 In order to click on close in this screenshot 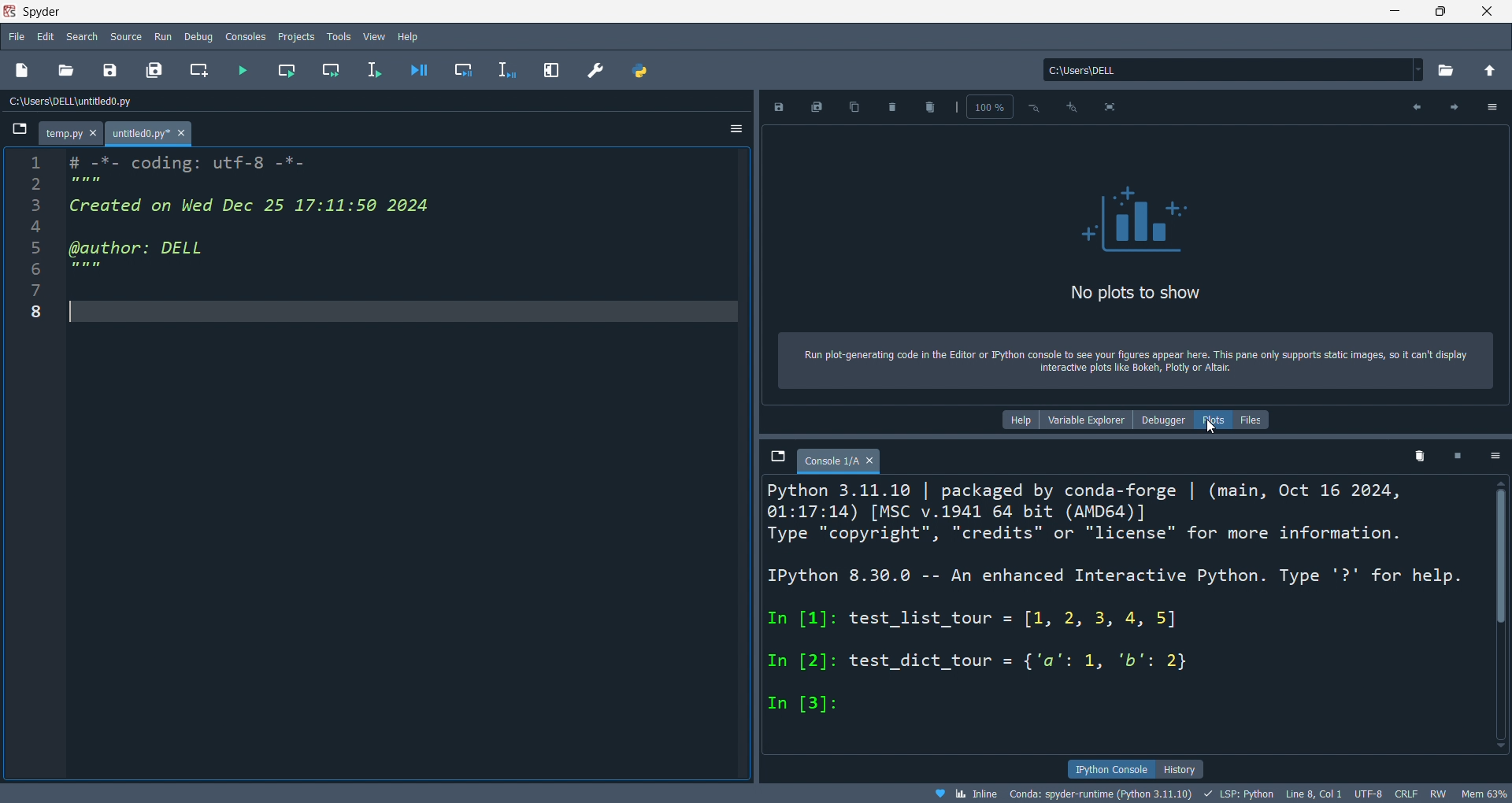, I will do `click(1488, 11)`.